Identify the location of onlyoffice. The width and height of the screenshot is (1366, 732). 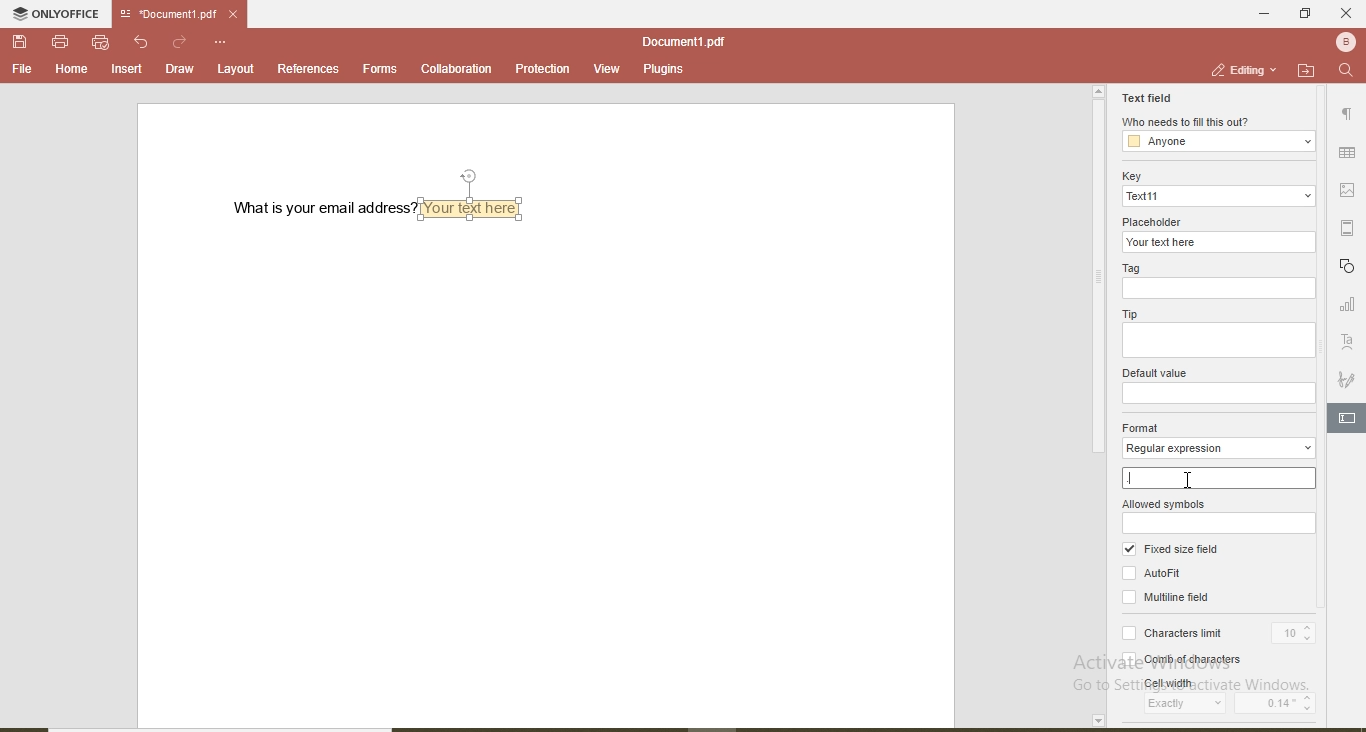
(59, 16).